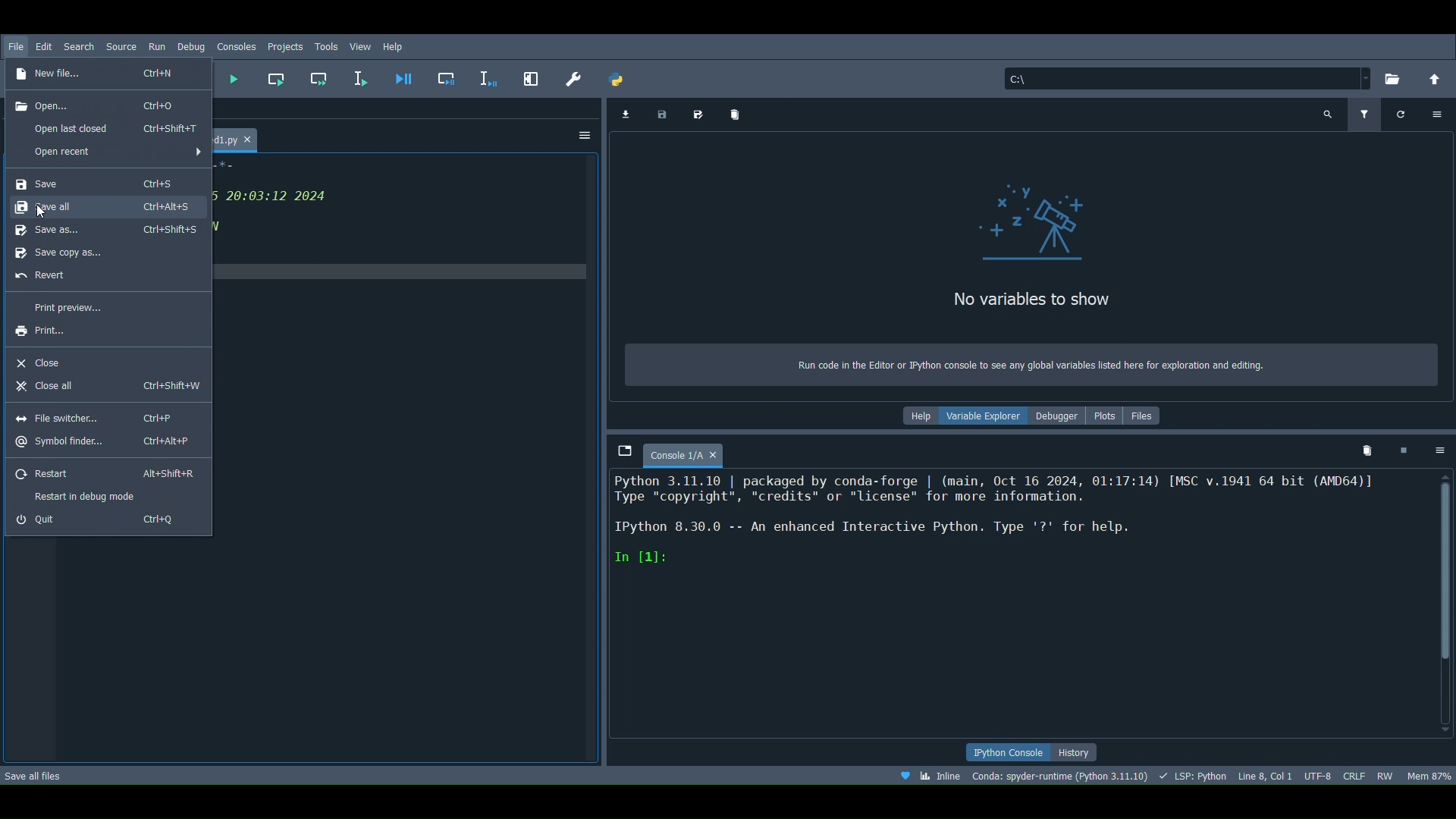  Describe the element at coordinates (1186, 78) in the screenshot. I see `C: (file path)` at that location.